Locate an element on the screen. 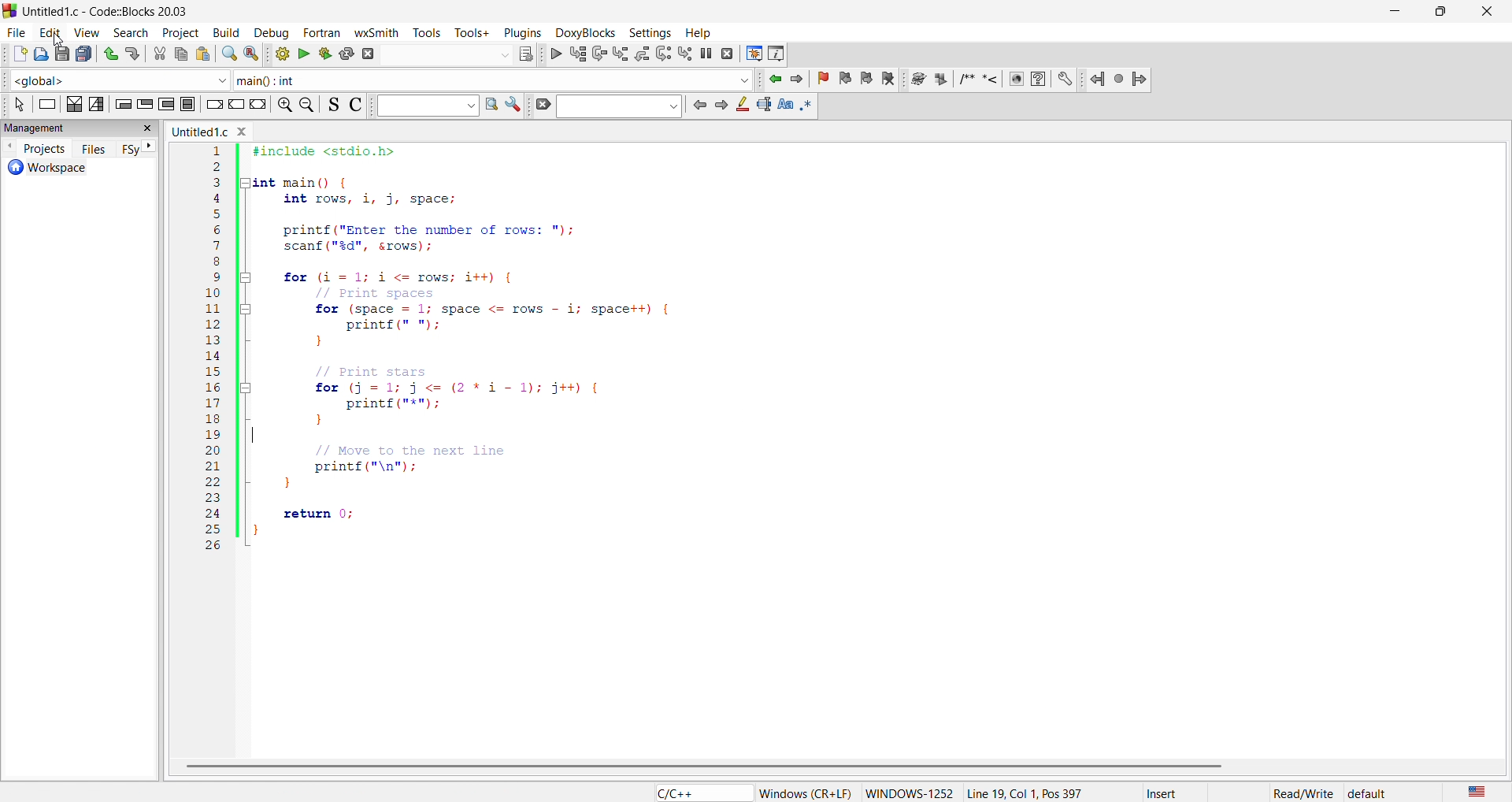 This screenshot has width=1512, height=802. step into is located at coordinates (621, 54).